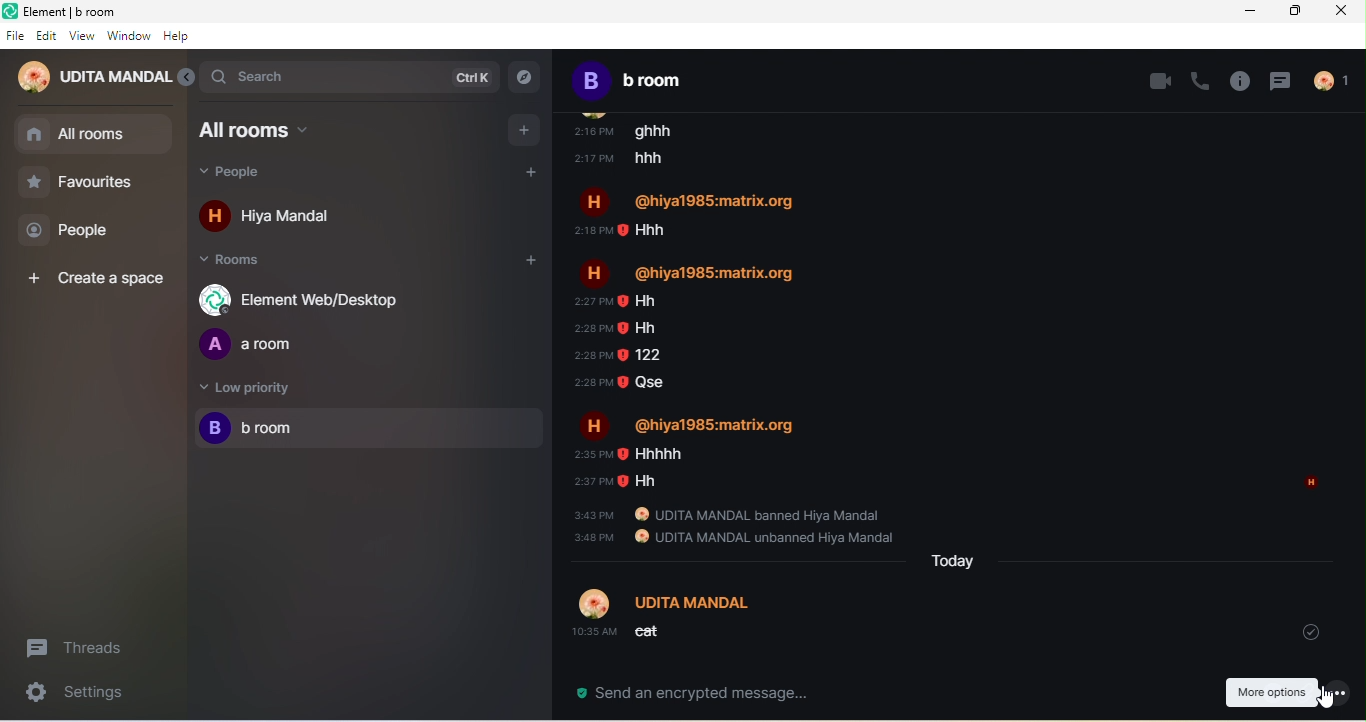  What do you see at coordinates (1337, 693) in the screenshot?
I see `more options` at bounding box center [1337, 693].